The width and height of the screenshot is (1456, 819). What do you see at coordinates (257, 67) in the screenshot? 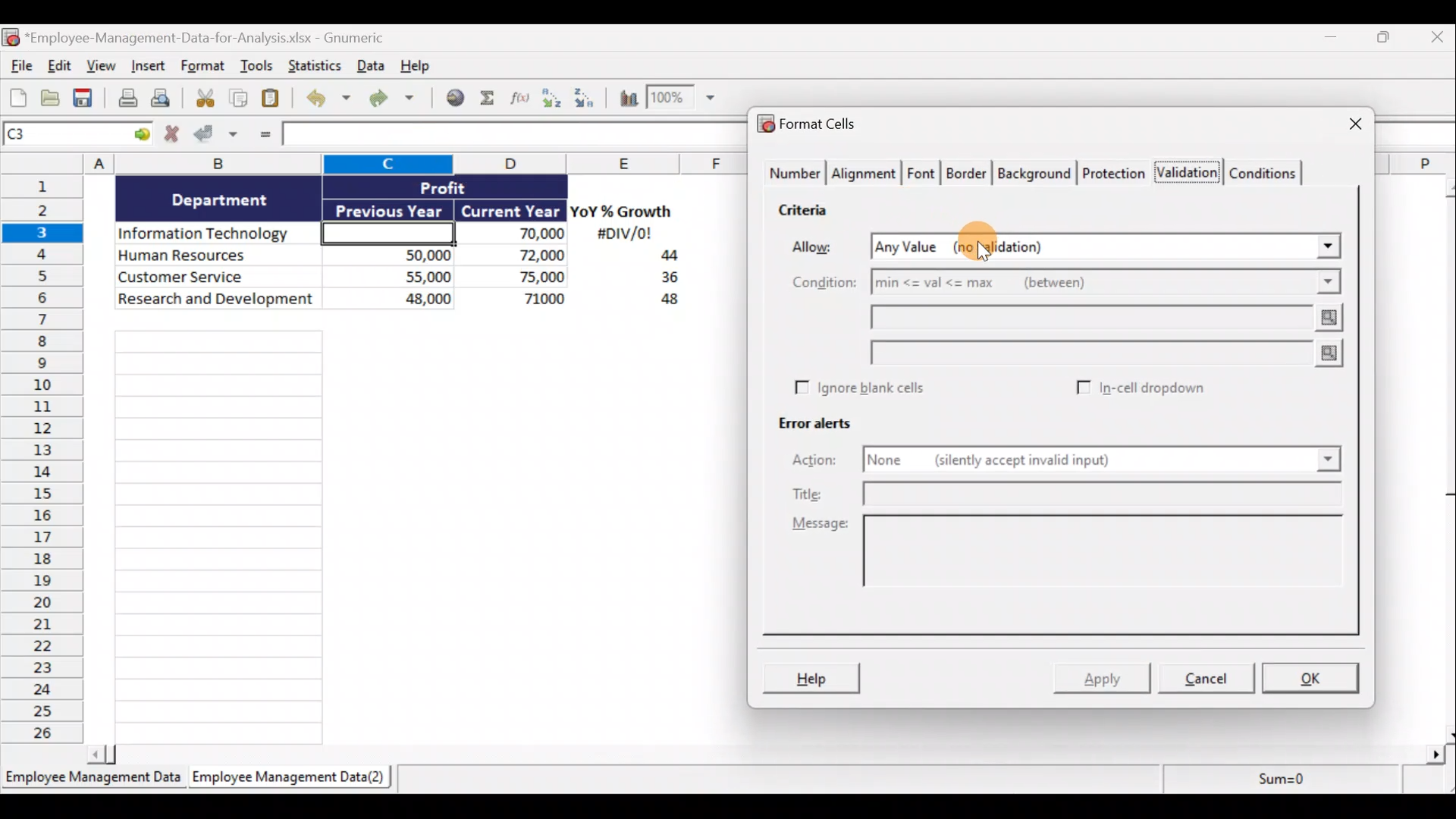
I see `Tools` at bounding box center [257, 67].